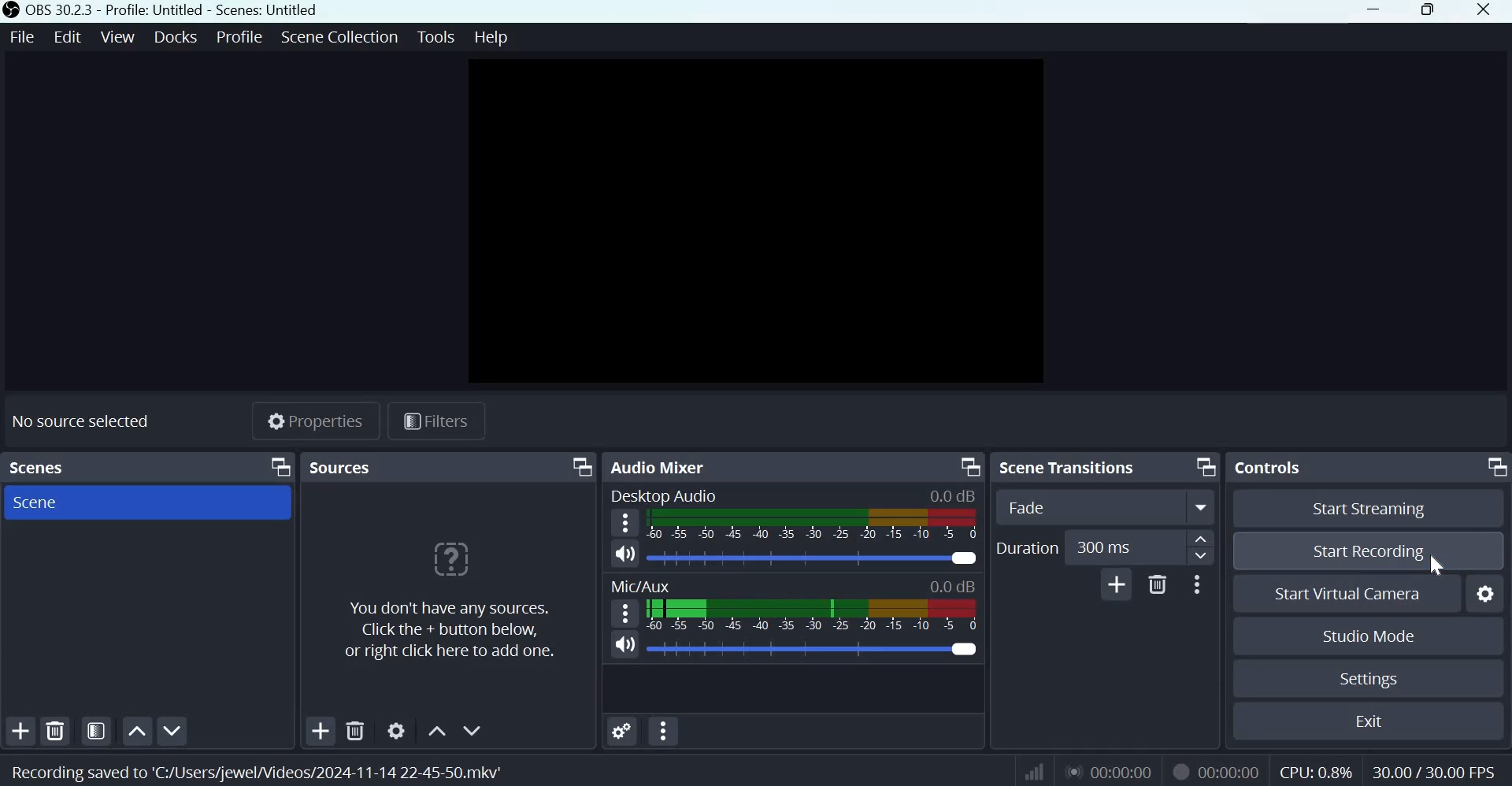 Image resolution: width=1512 pixels, height=786 pixels. Describe the element at coordinates (258, 772) in the screenshot. I see `Recording saved to C:/Users/jewel/videos/2024-11-14 22-45-50/mkv` at that location.